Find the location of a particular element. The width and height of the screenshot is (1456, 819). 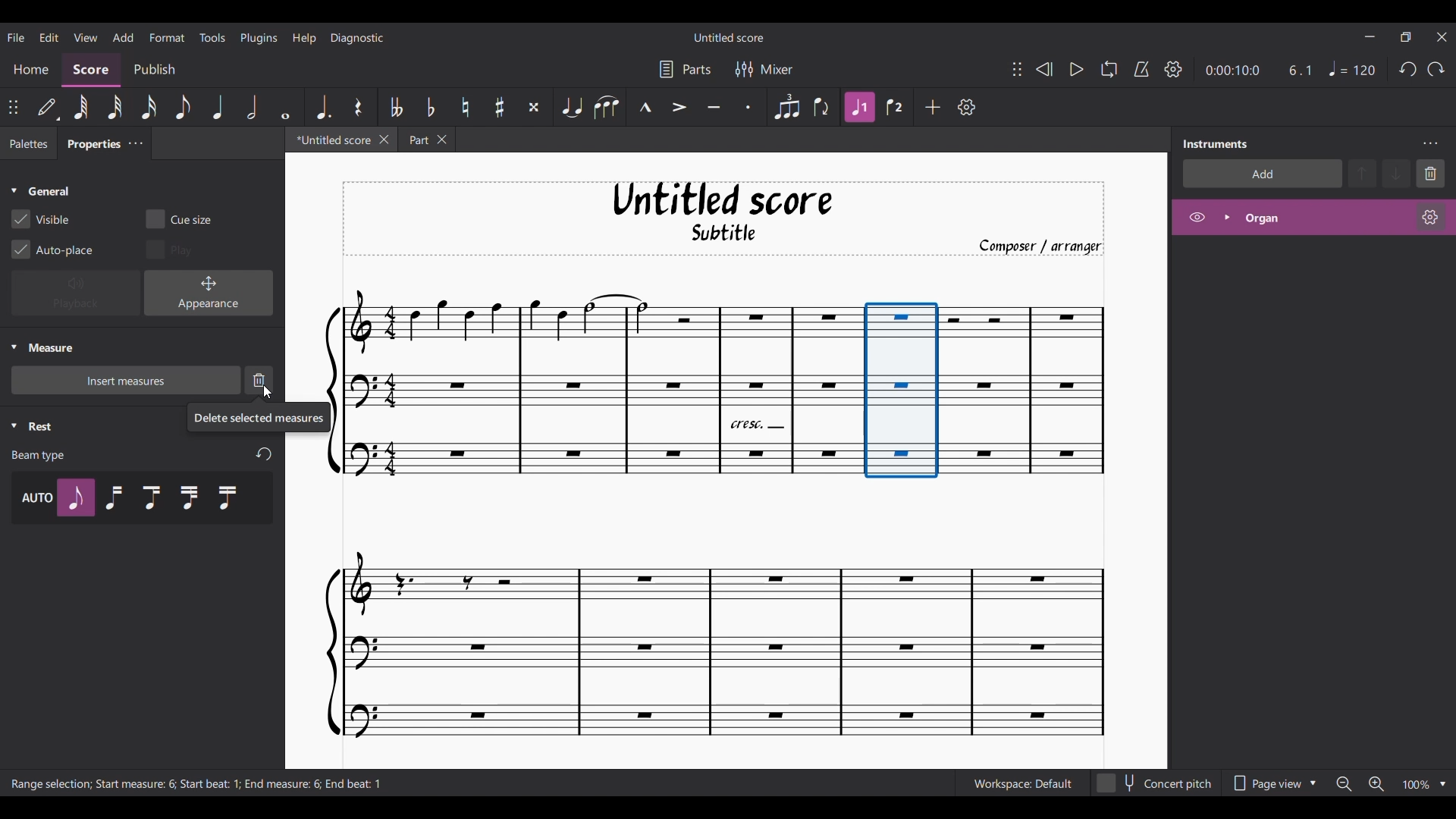

Toggle double sharp is located at coordinates (532, 107).